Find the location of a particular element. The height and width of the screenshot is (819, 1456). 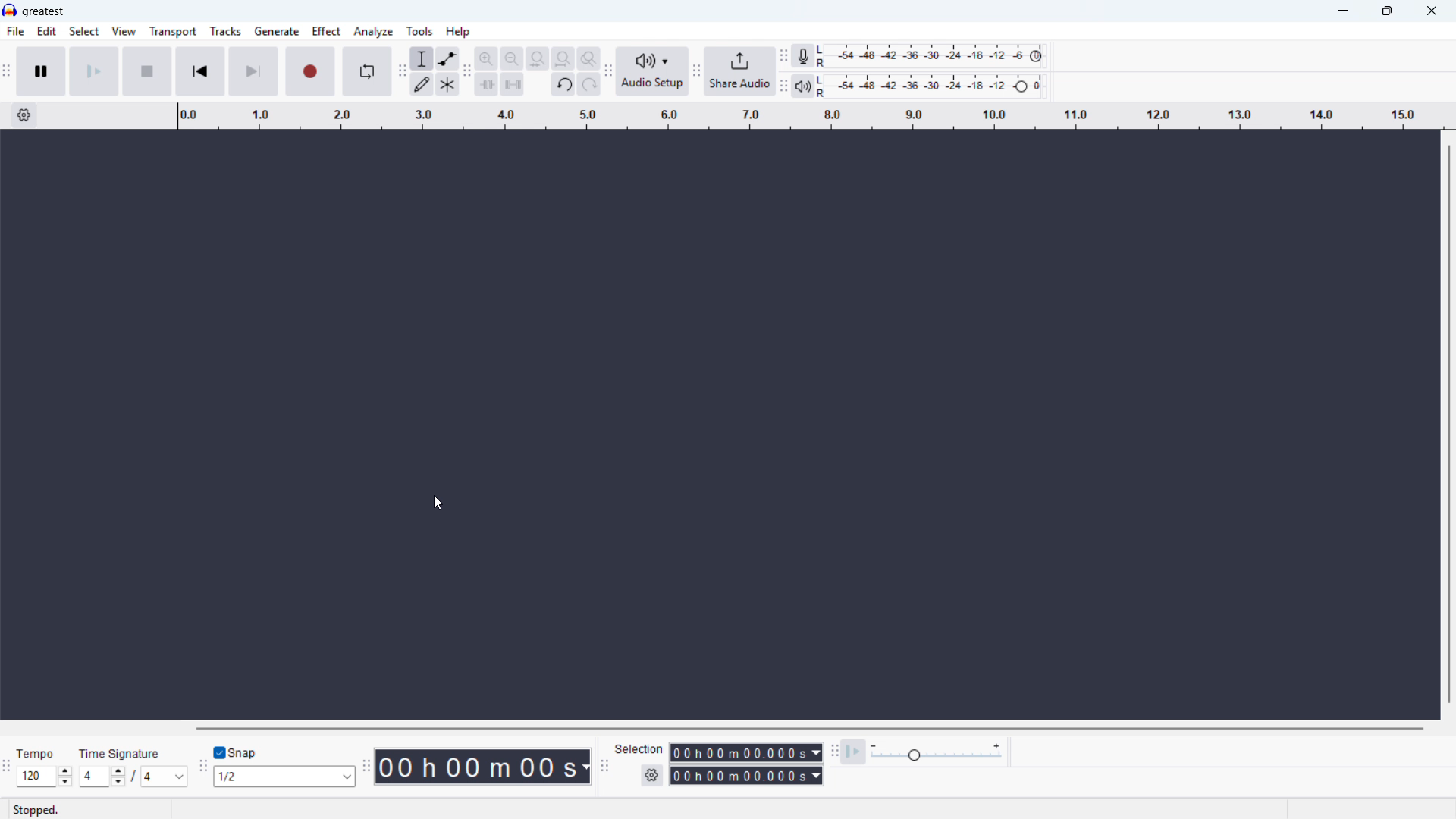

Set tempo  is located at coordinates (45, 777).